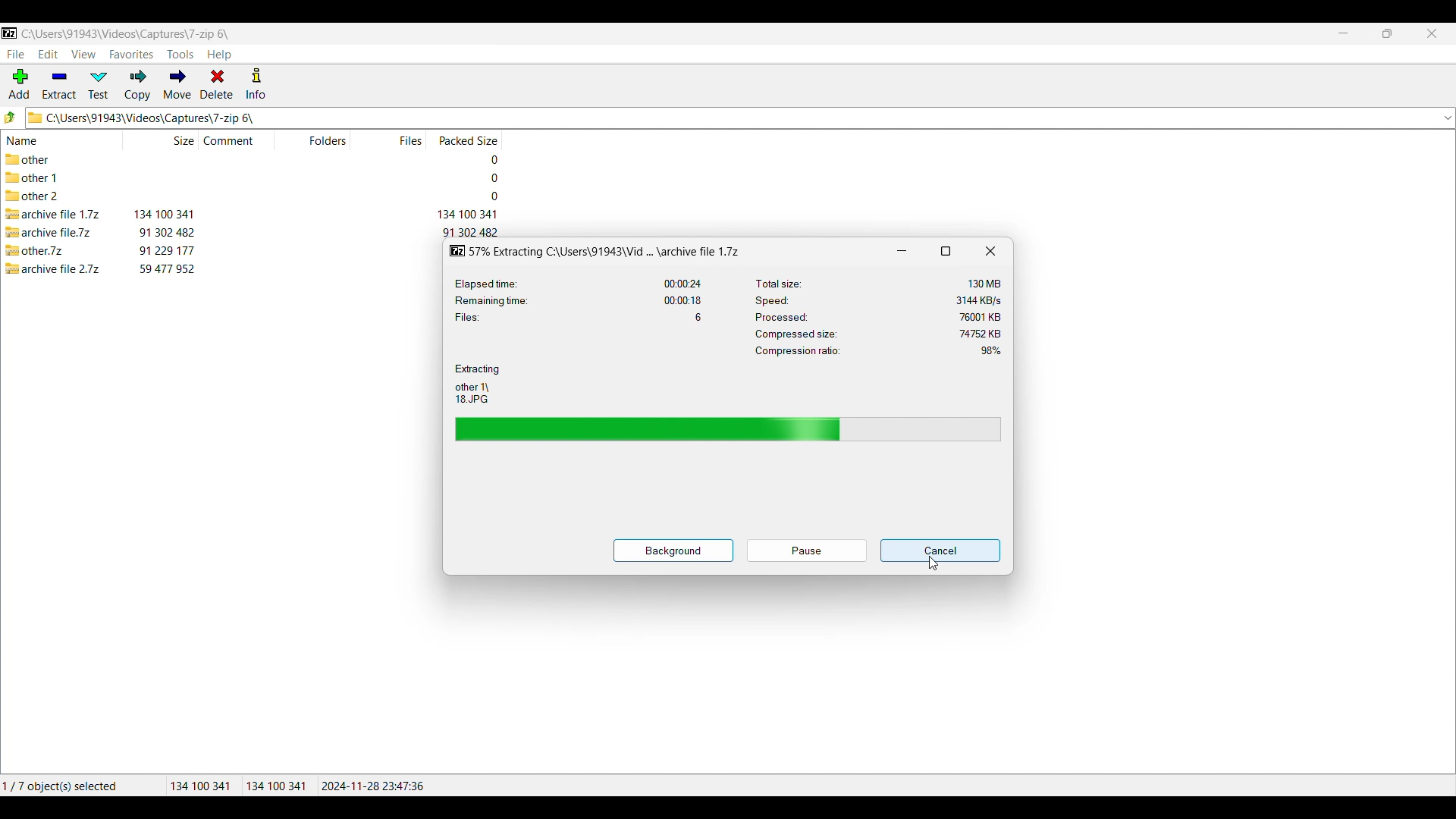 The width and height of the screenshot is (1456, 819). Describe the element at coordinates (49, 54) in the screenshot. I see `Edit menu` at that location.